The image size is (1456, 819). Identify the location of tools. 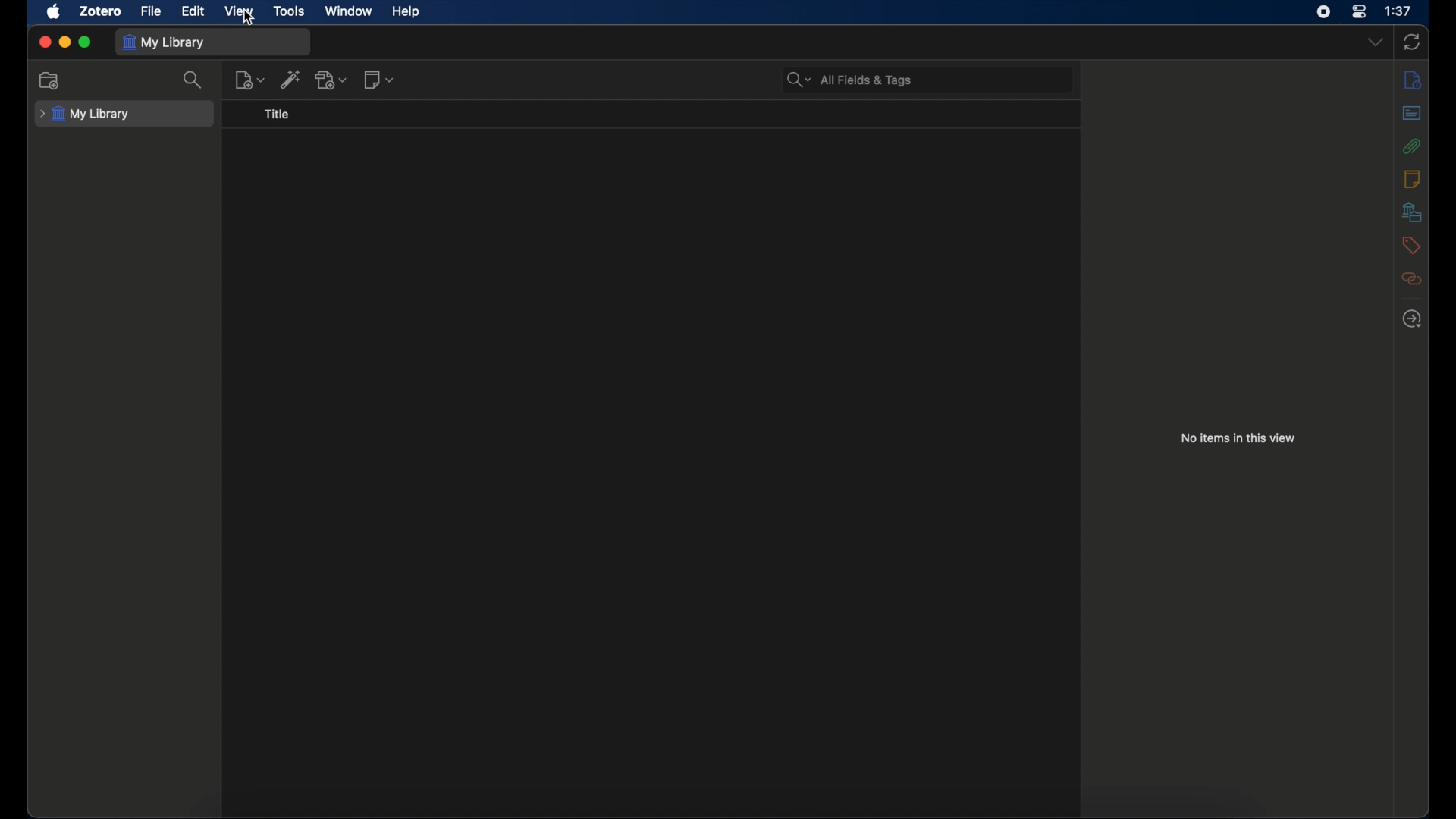
(290, 11).